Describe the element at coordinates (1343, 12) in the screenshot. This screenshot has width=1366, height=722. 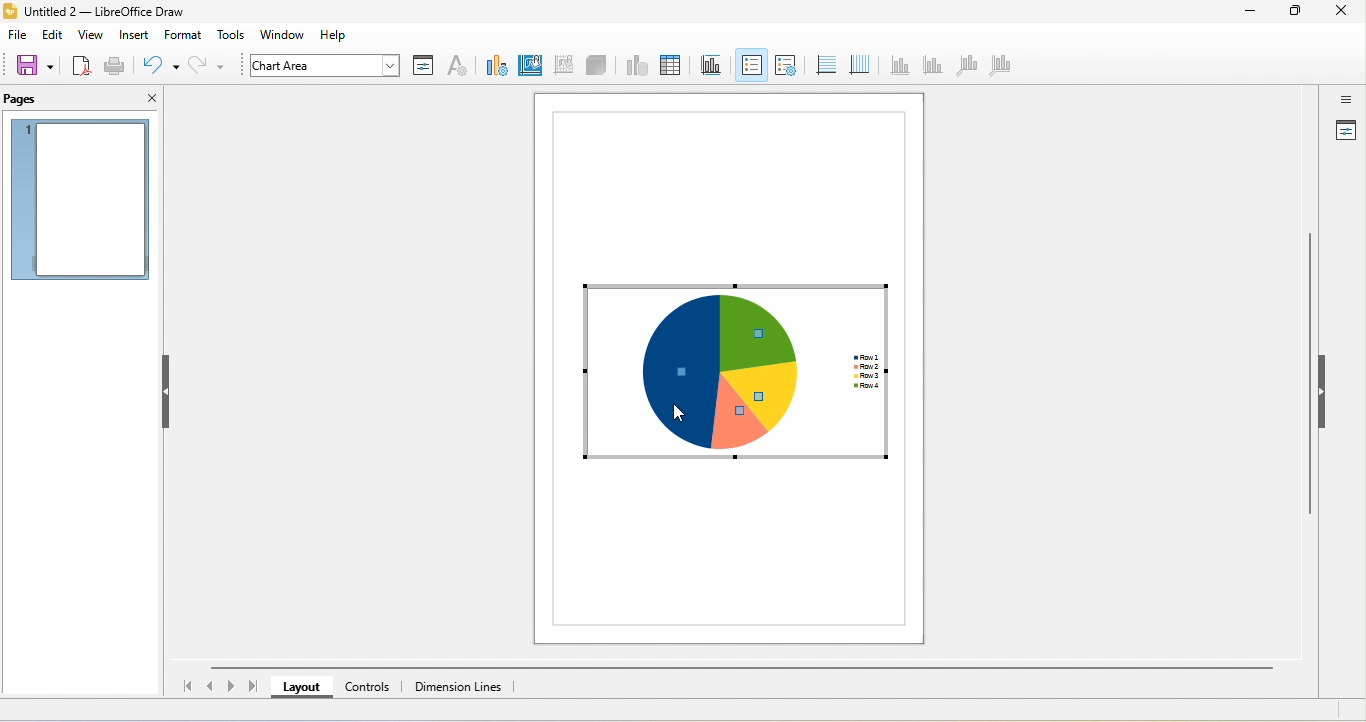
I see `close` at that location.